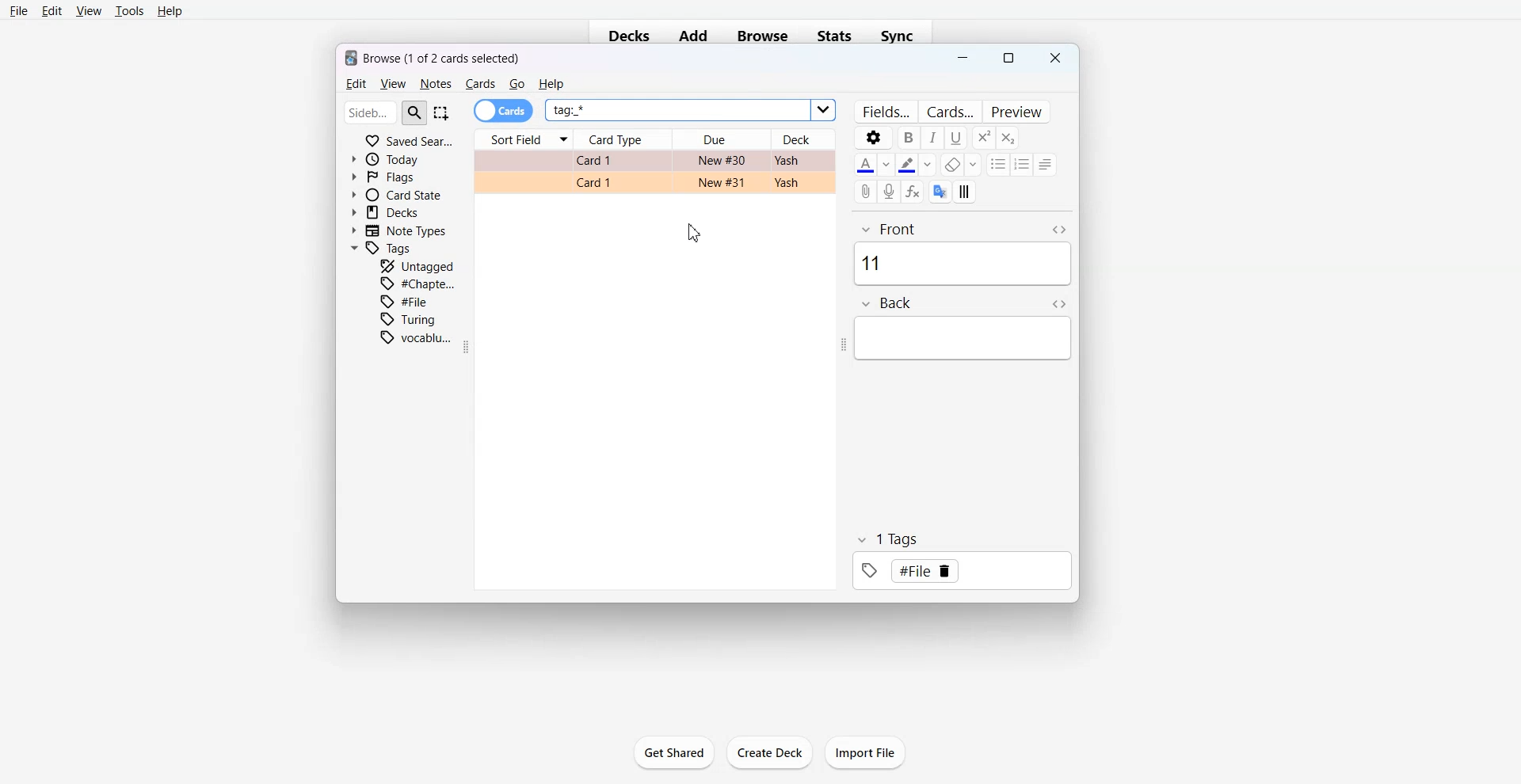  What do you see at coordinates (395, 194) in the screenshot?
I see `Card State` at bounding box center [395, 194].